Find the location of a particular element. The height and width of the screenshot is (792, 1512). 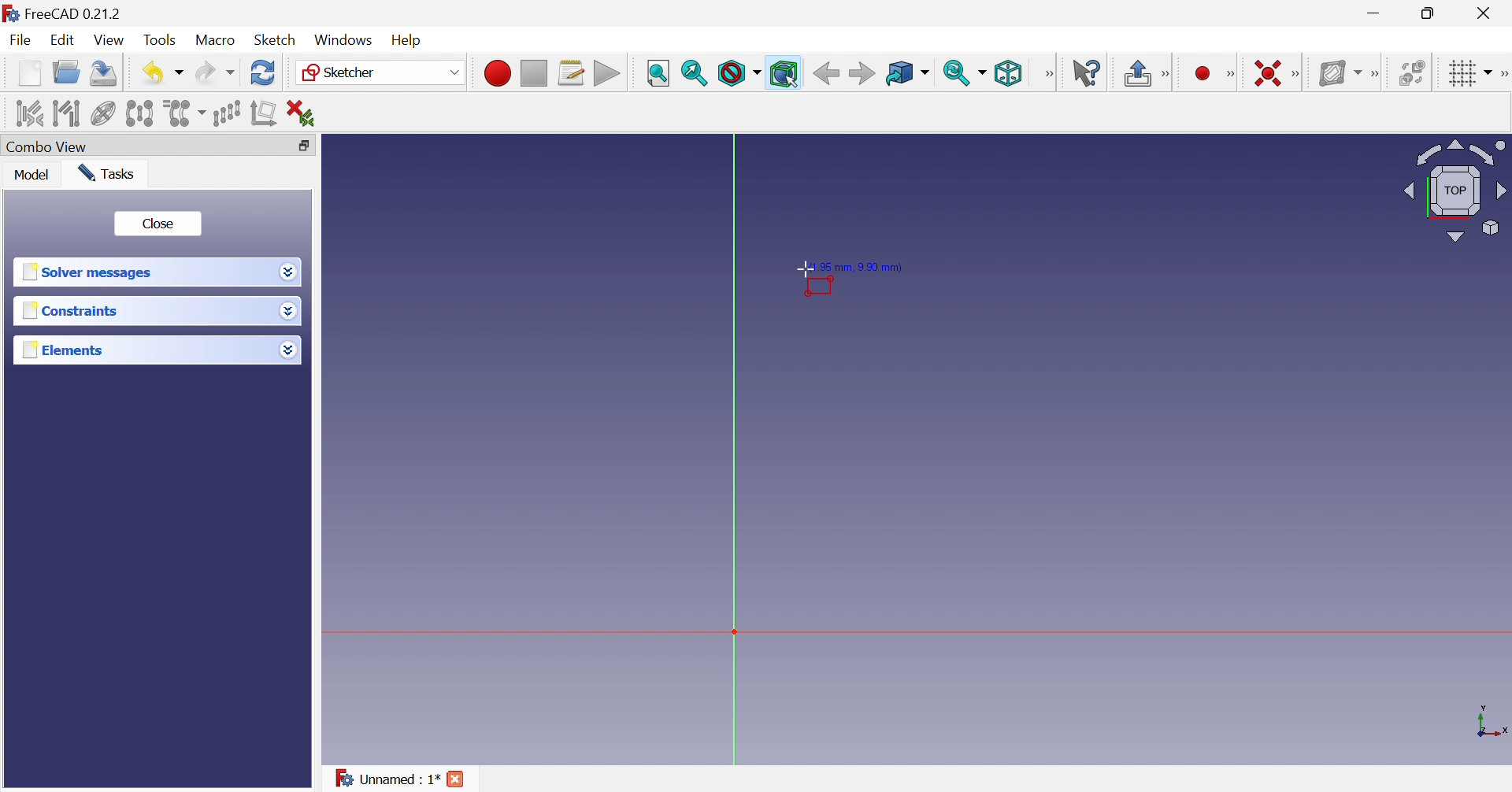

Sketcher geometries is located at coordinates (1233, 75).